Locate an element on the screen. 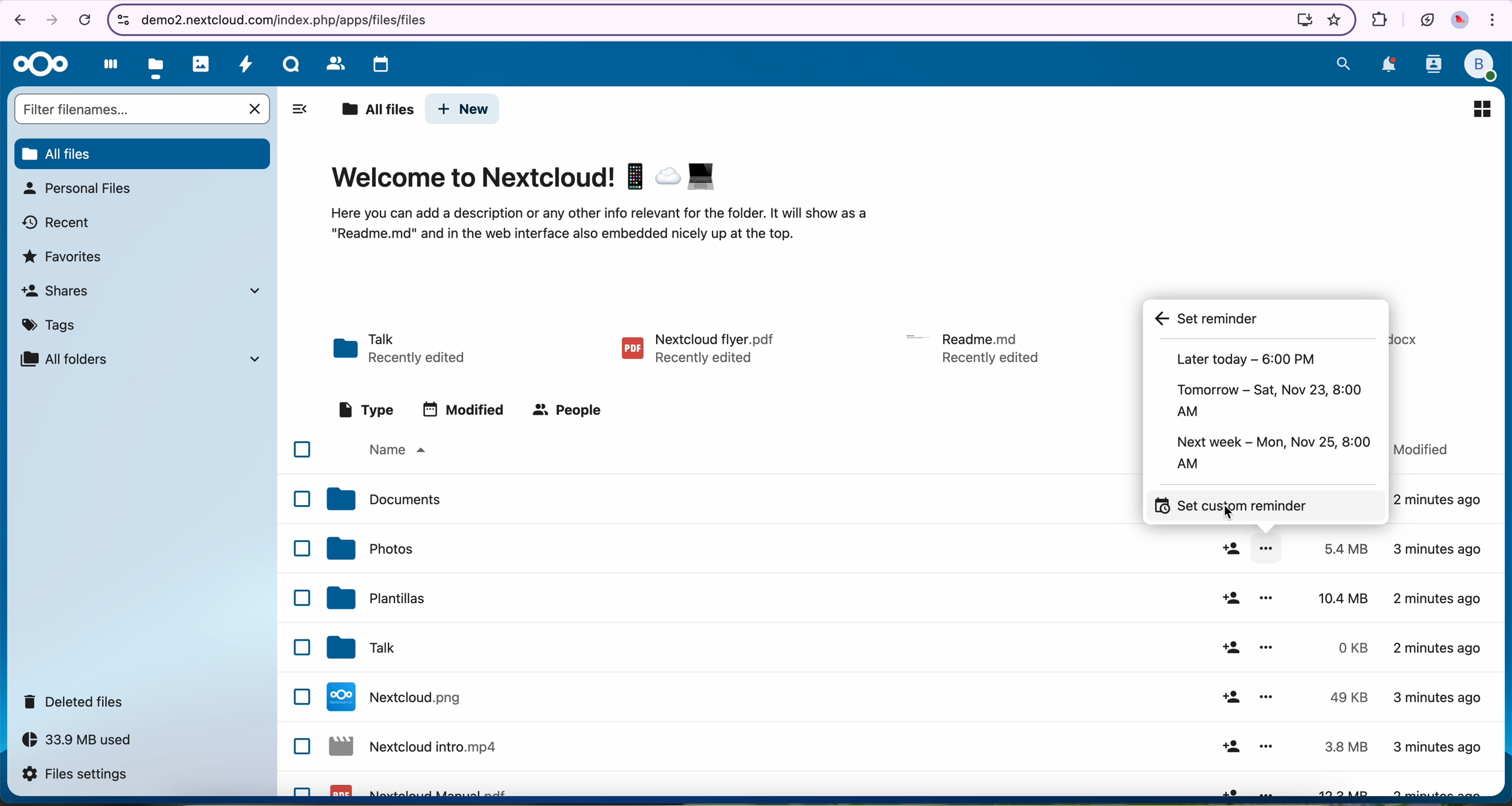 The image size is (1512, 806). documents is located at coordinates (386, 500).